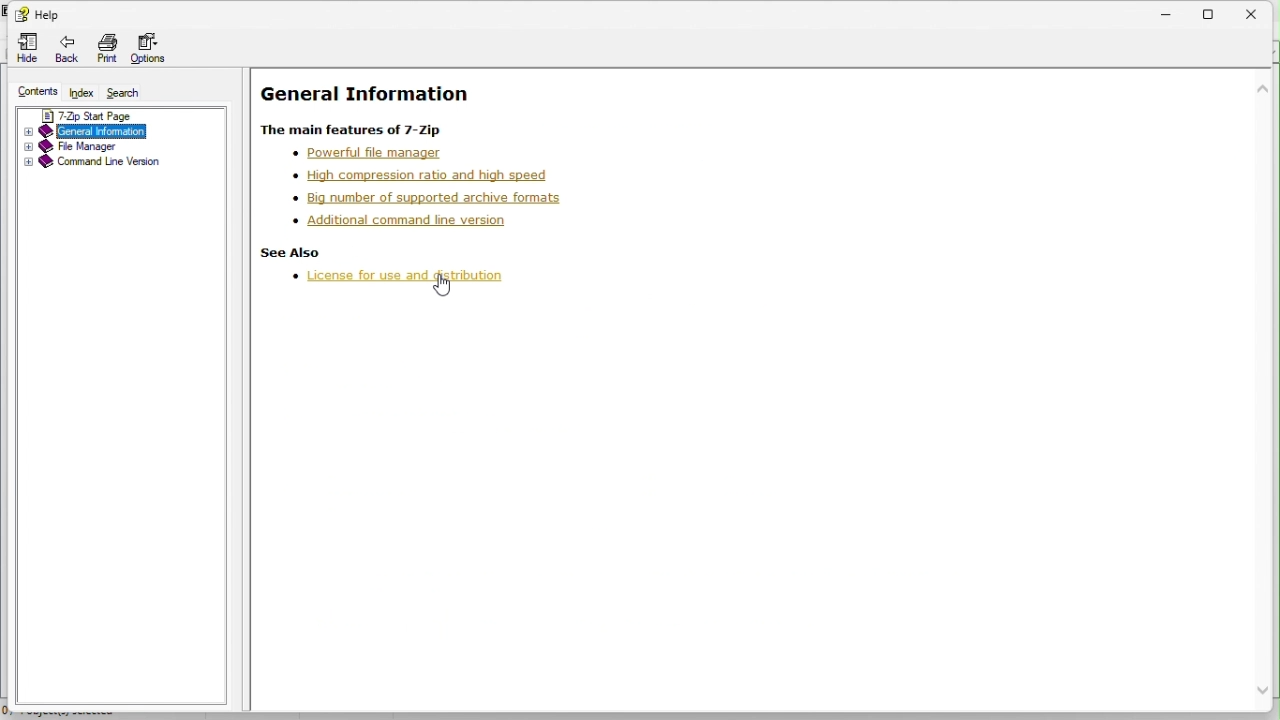 The width and height of the screenshot is (1280, 720). I want to click on additional command line version, so click(398, 220).